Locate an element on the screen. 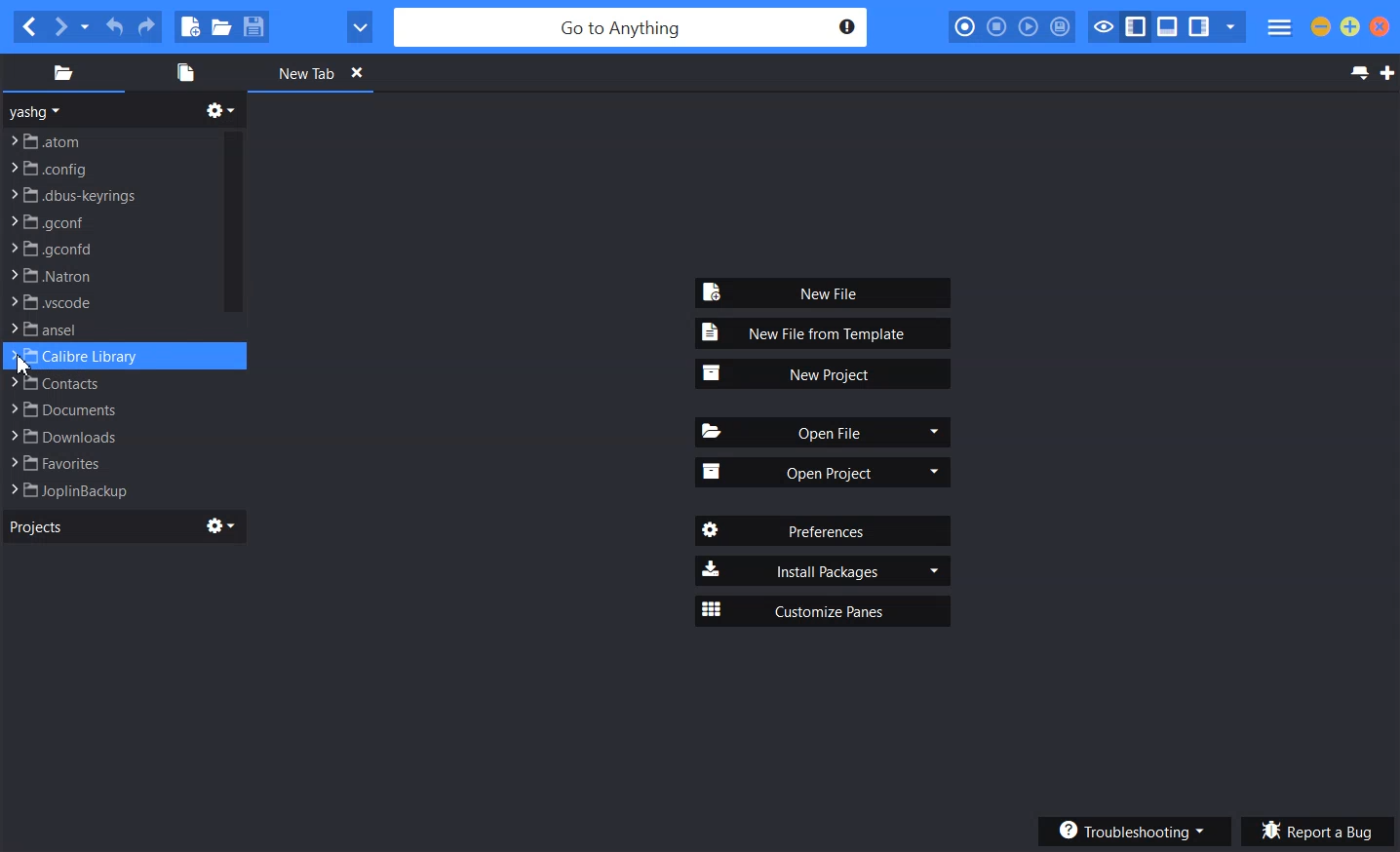 The image size is (1400, 852). Close is located at coordinates (356, 71).